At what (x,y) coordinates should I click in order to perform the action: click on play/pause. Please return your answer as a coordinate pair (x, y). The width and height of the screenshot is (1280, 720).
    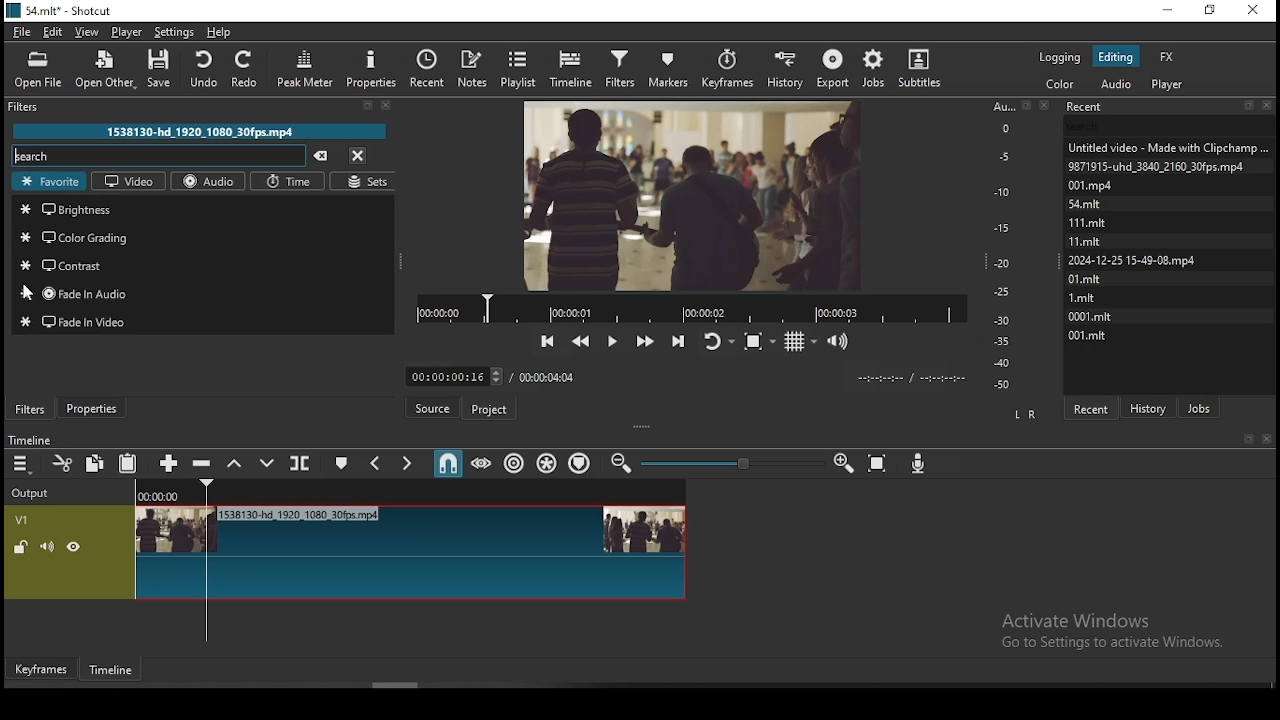
    Looking at the image, I should click on (611, 342).